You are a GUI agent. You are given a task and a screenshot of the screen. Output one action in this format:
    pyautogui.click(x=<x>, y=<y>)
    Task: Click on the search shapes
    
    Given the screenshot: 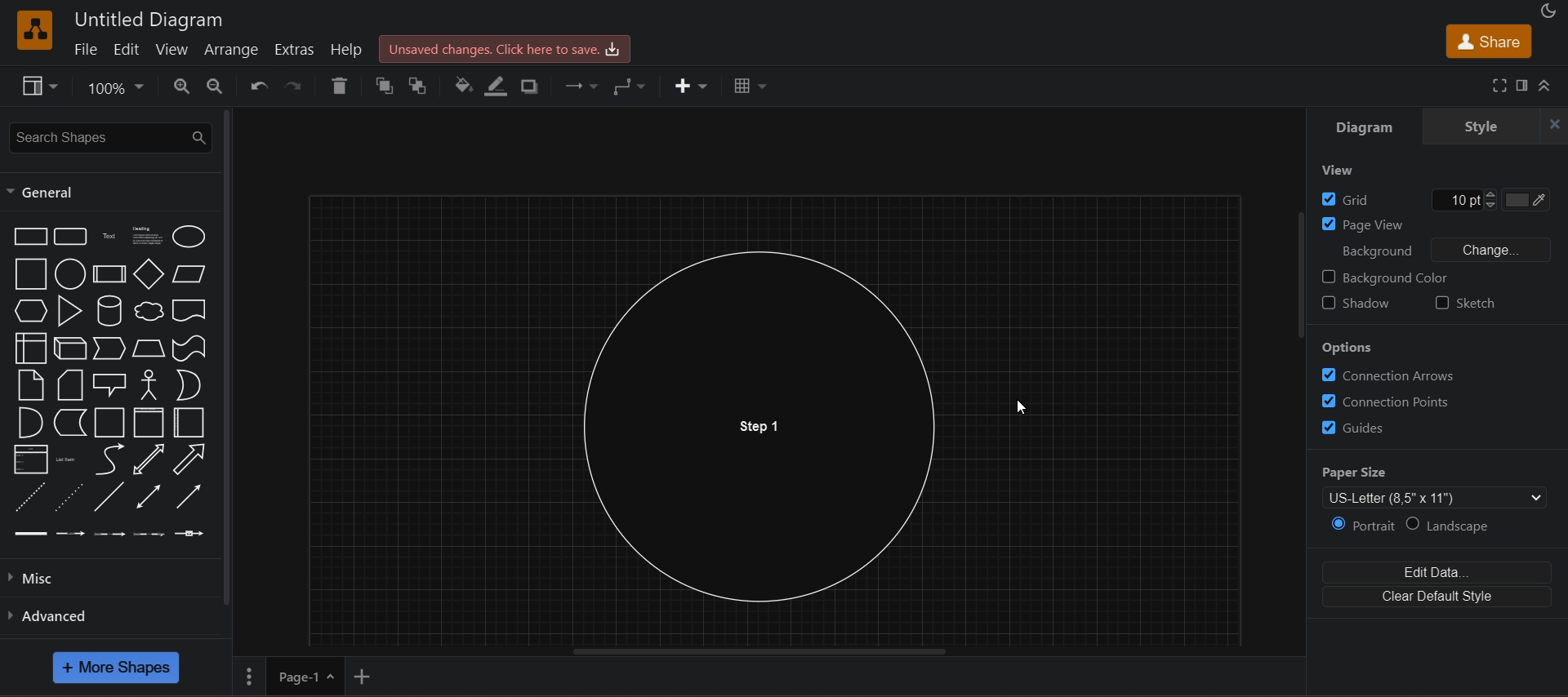 What is the action you would take?
    pyautogui.click(x=105, y=136)
    